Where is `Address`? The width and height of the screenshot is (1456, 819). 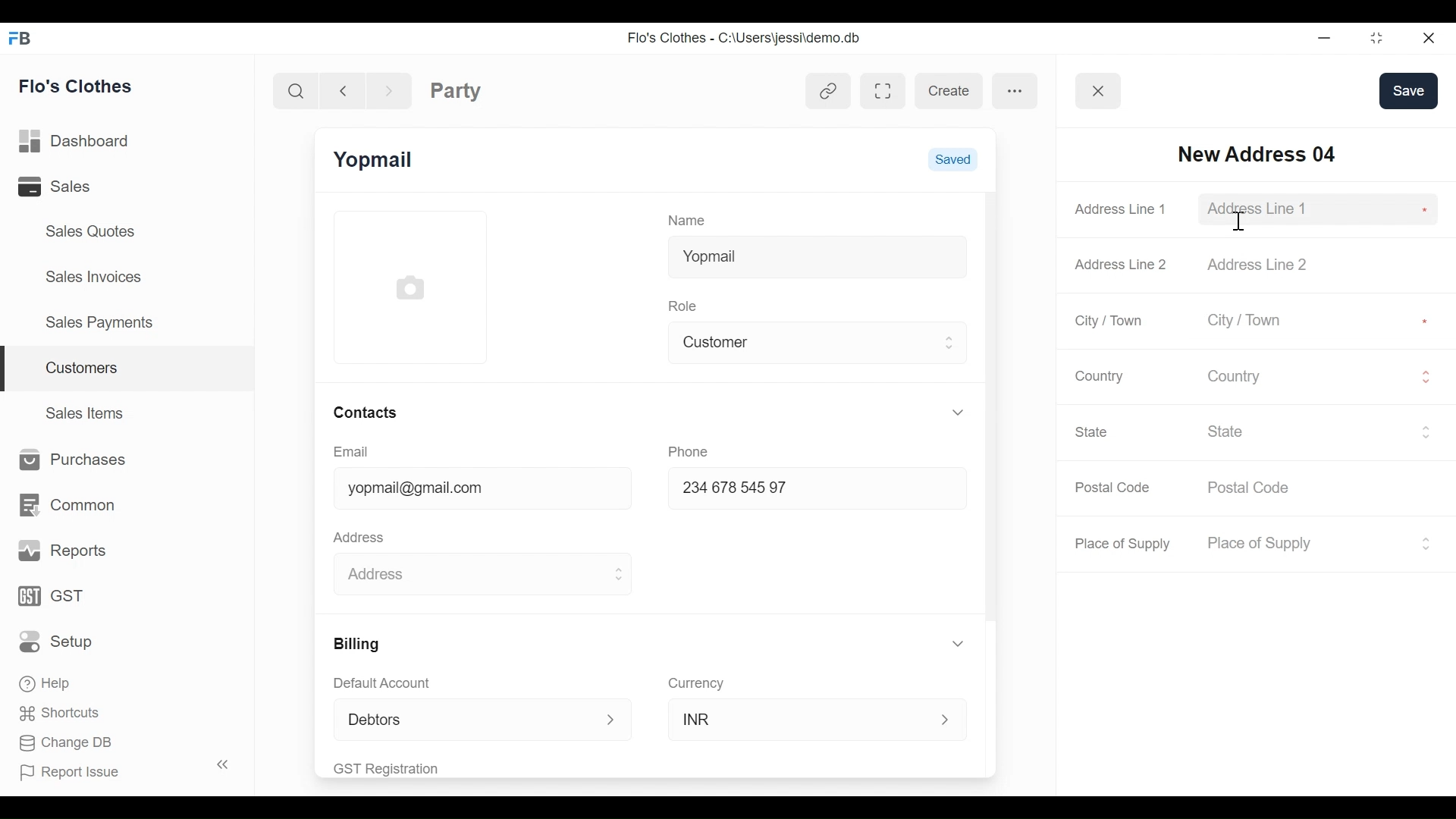
Address is located at coordinates (362, 535).